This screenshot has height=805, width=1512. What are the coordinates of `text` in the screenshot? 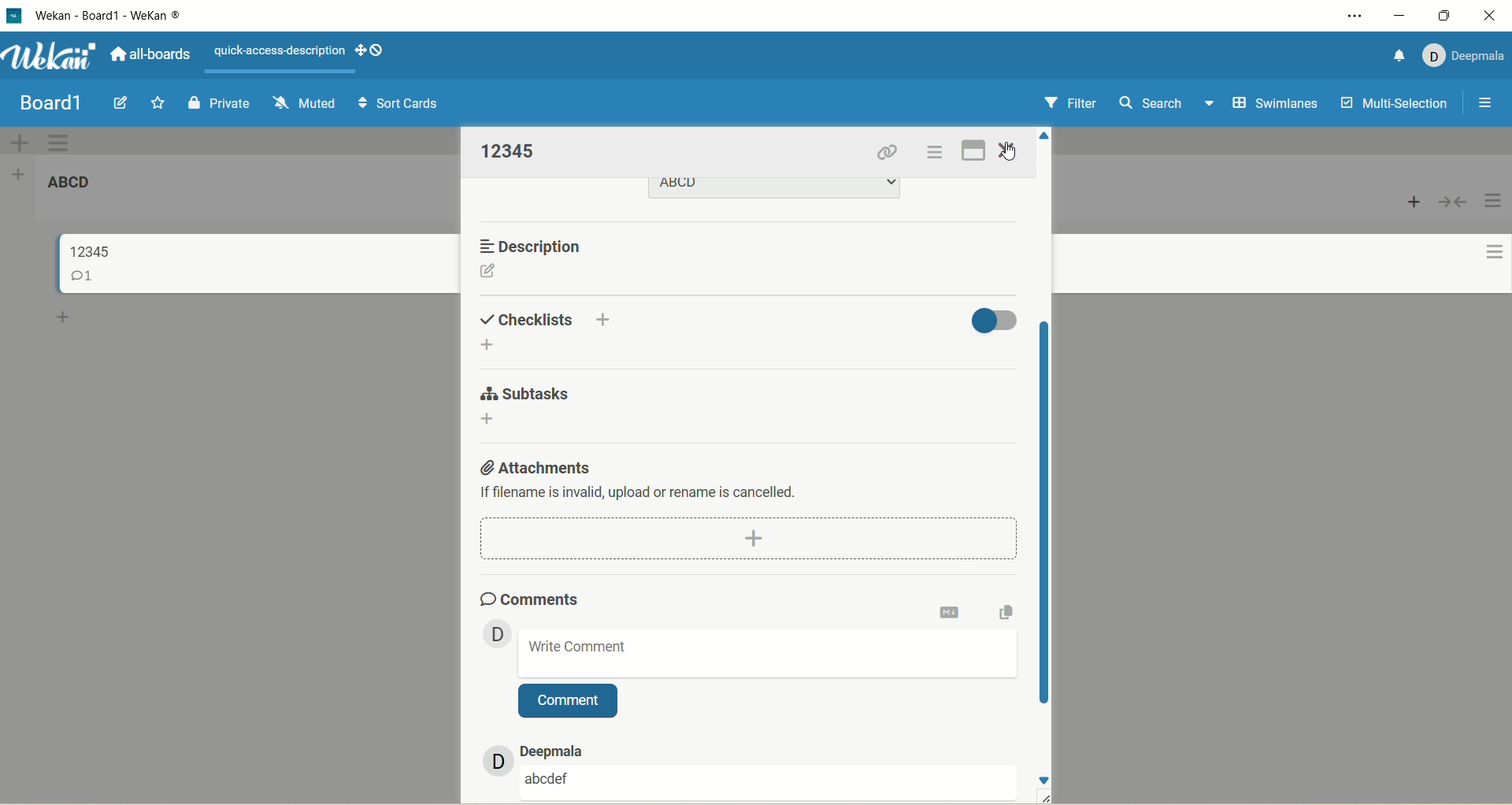 It's located at (280, 51).